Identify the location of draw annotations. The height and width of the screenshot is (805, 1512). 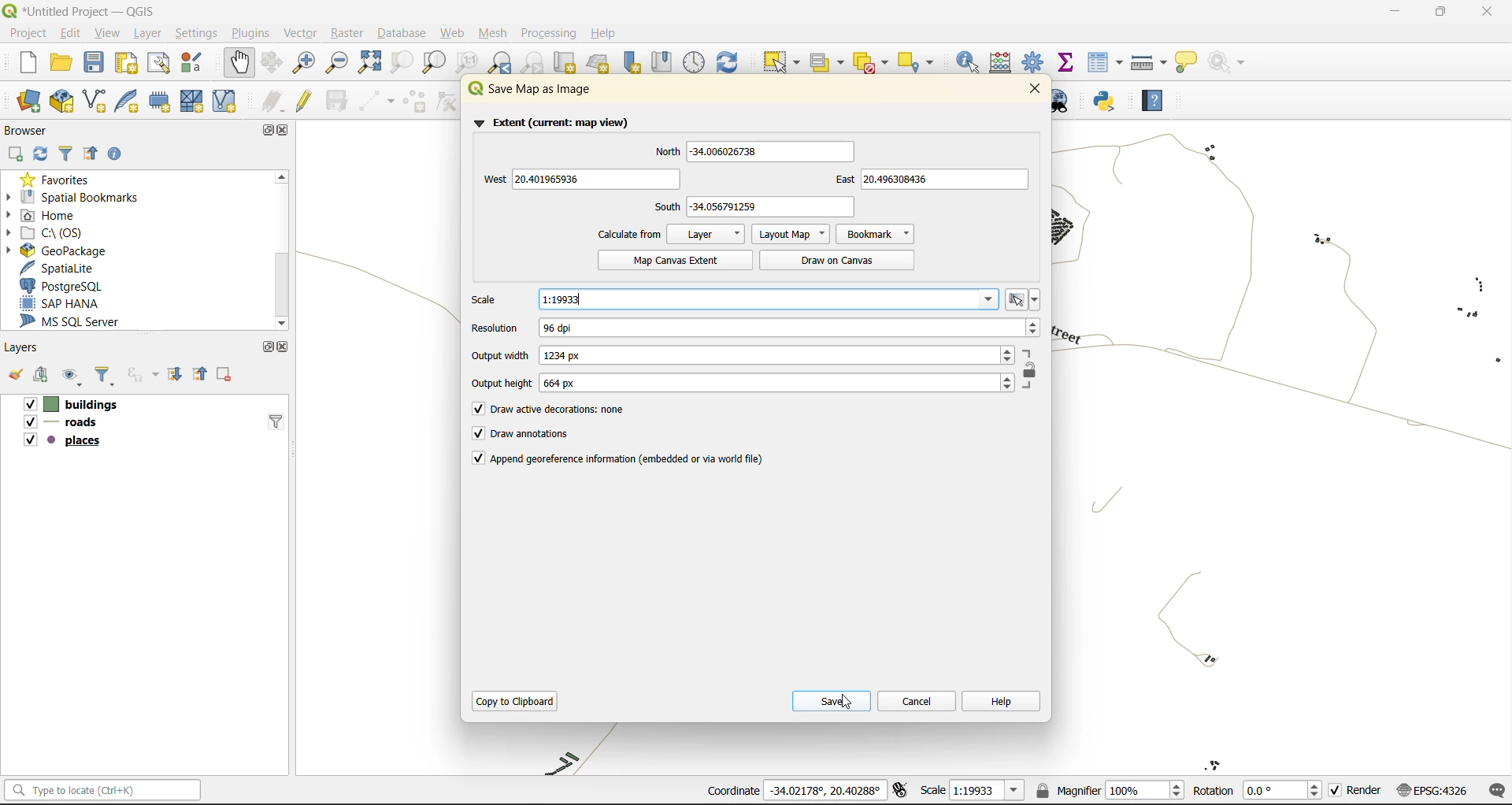
(521, 434).